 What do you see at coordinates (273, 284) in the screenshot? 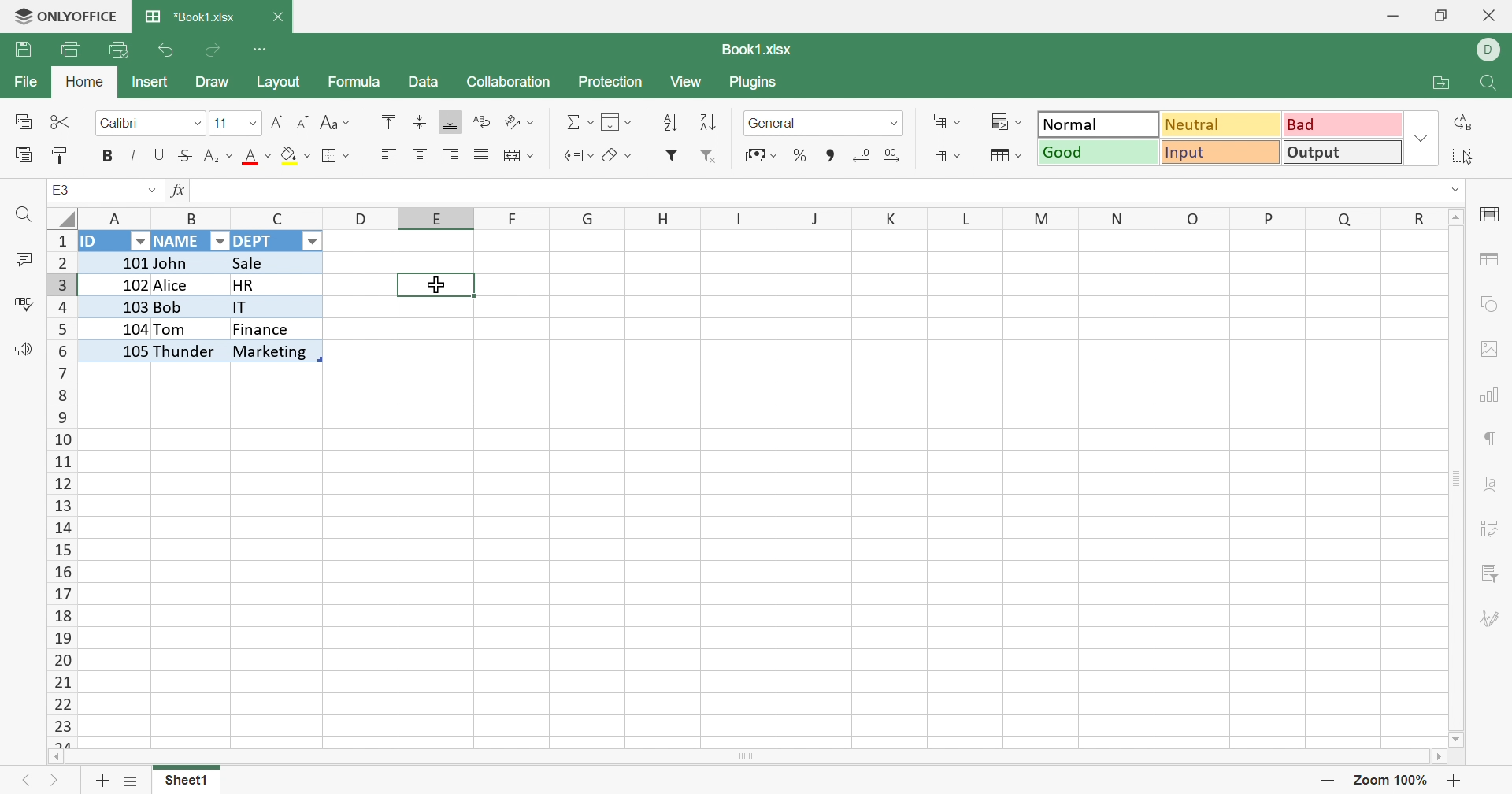
I see `HR` at bounding box center [273, 284].